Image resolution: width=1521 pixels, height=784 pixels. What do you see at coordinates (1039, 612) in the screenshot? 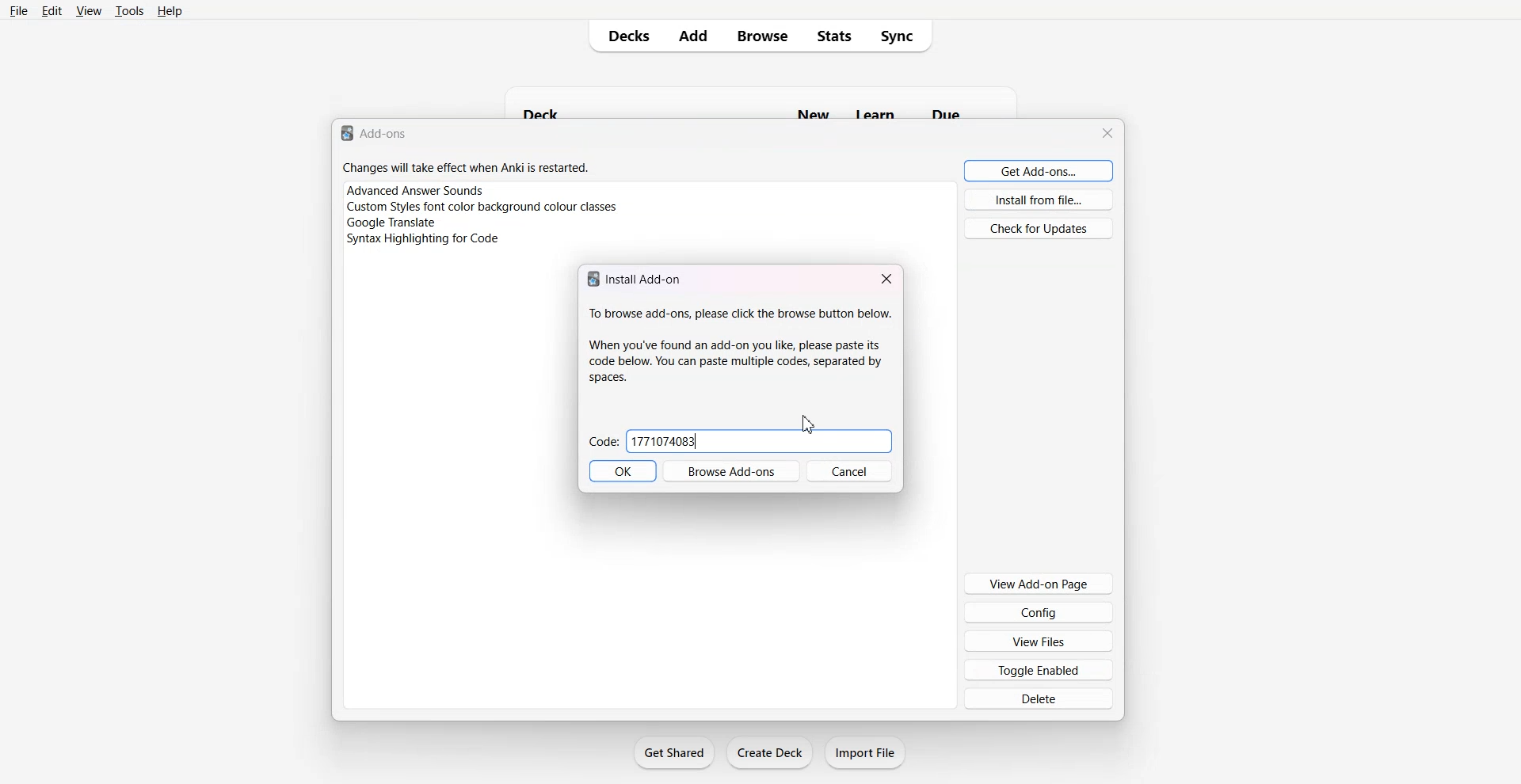
I see `Config` at bounding box center [1039, 612].